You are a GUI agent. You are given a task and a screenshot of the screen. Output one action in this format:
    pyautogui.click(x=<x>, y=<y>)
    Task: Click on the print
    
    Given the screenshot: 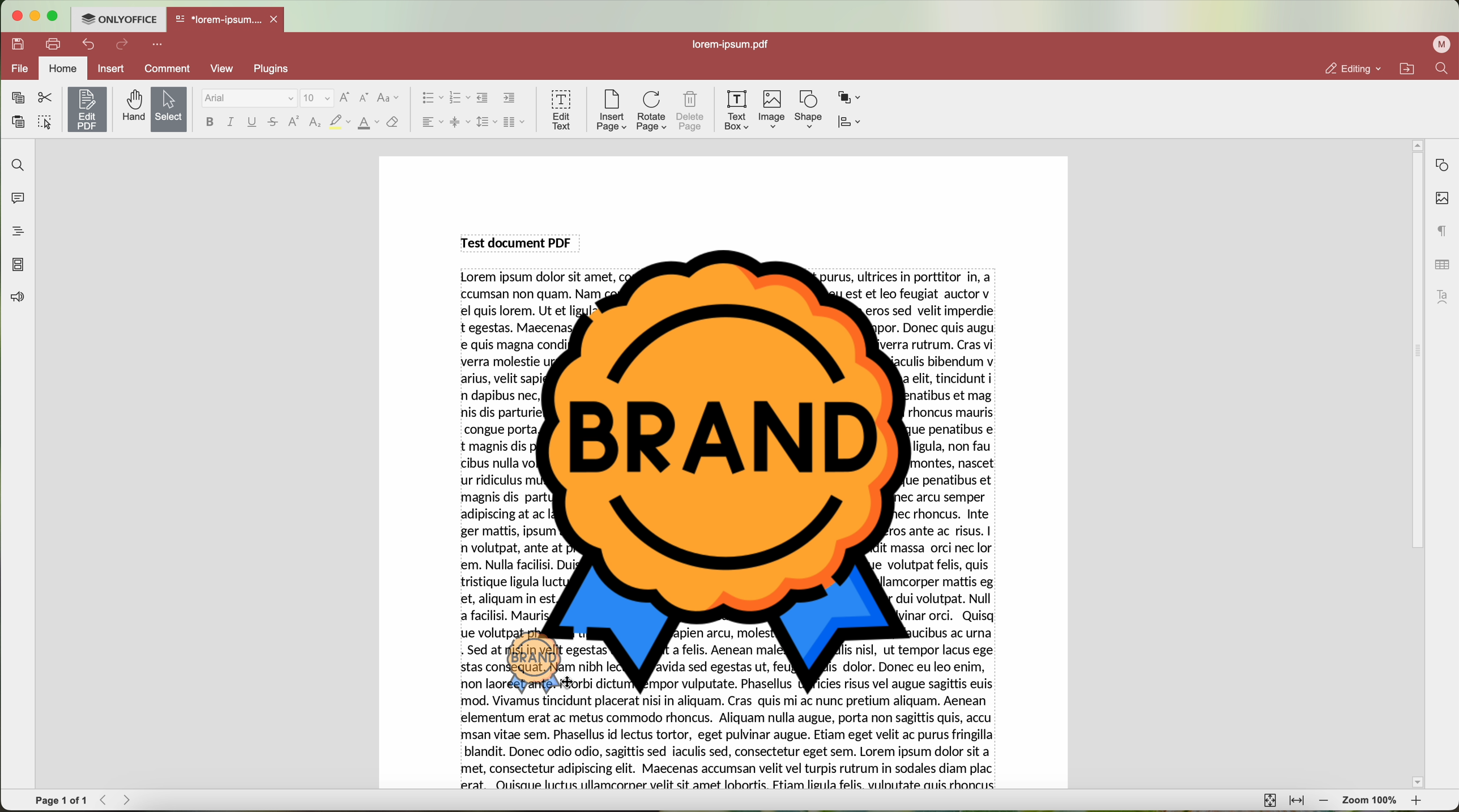 What is the action you would take?
    pyautogui.click(x=54, y=43)
    